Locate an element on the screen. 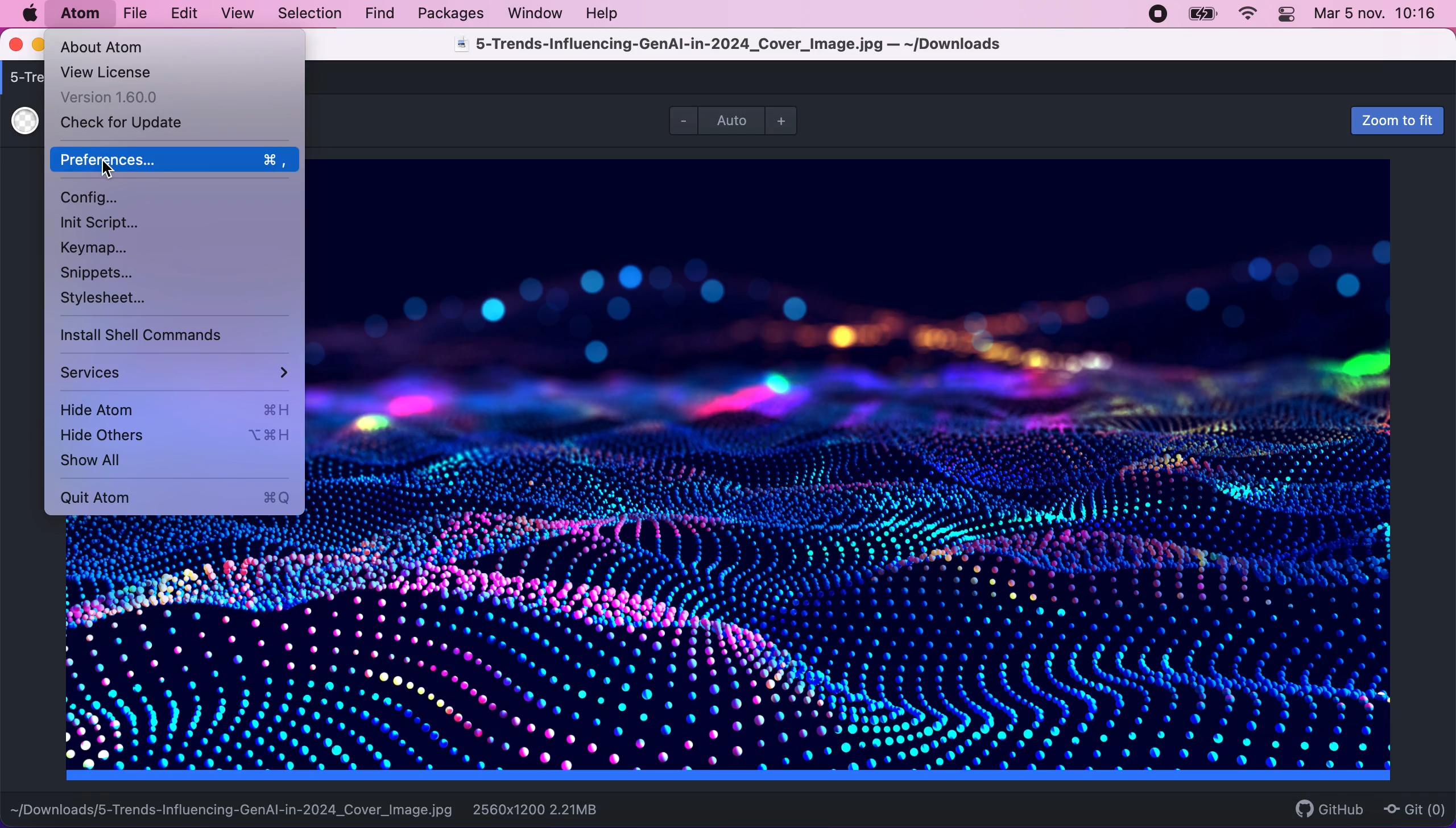  minimize is located at coordinates (38, 46).